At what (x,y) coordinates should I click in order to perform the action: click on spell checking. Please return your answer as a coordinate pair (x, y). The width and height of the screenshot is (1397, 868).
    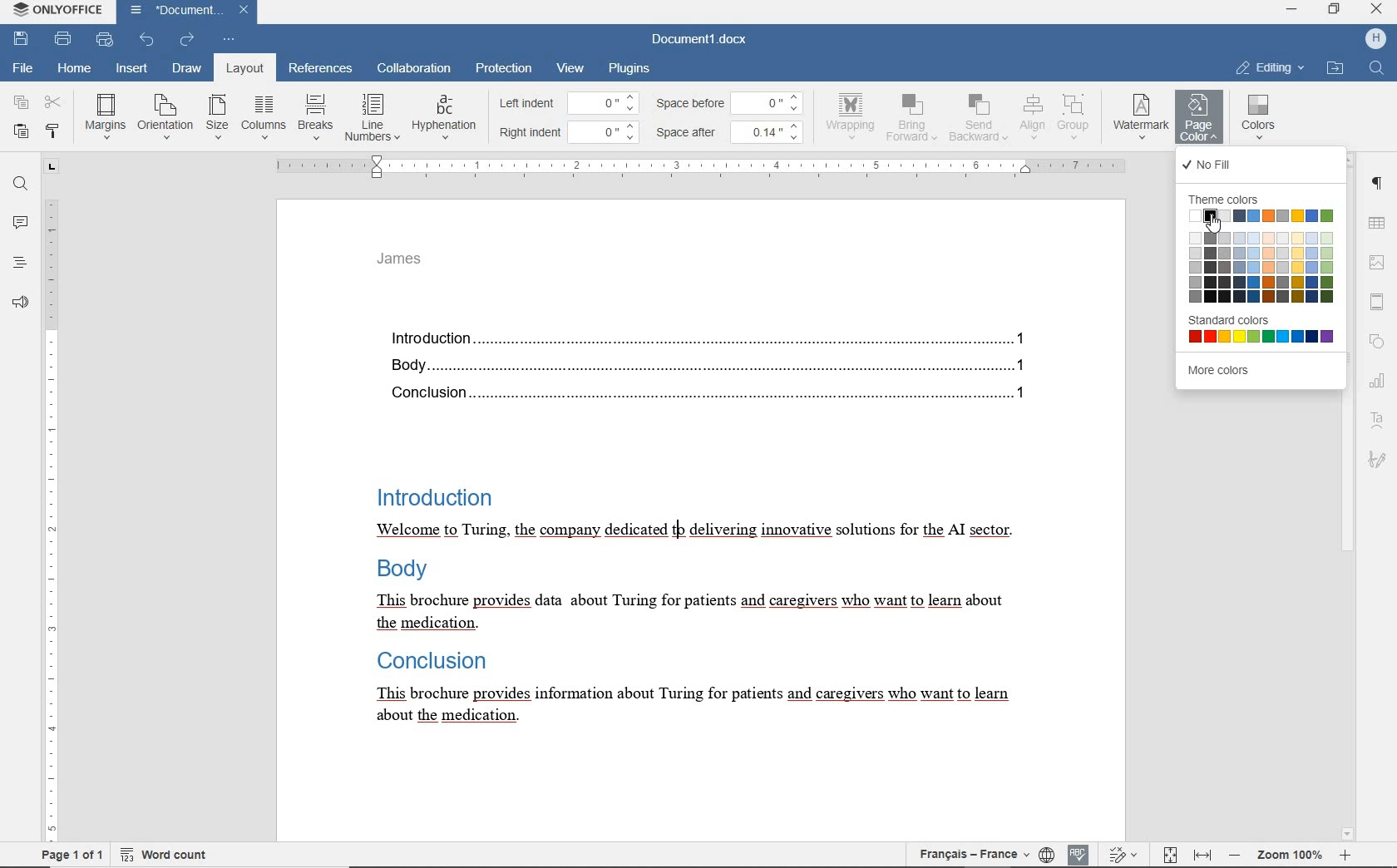
    Looking at the image, I should click on (1078, 851).